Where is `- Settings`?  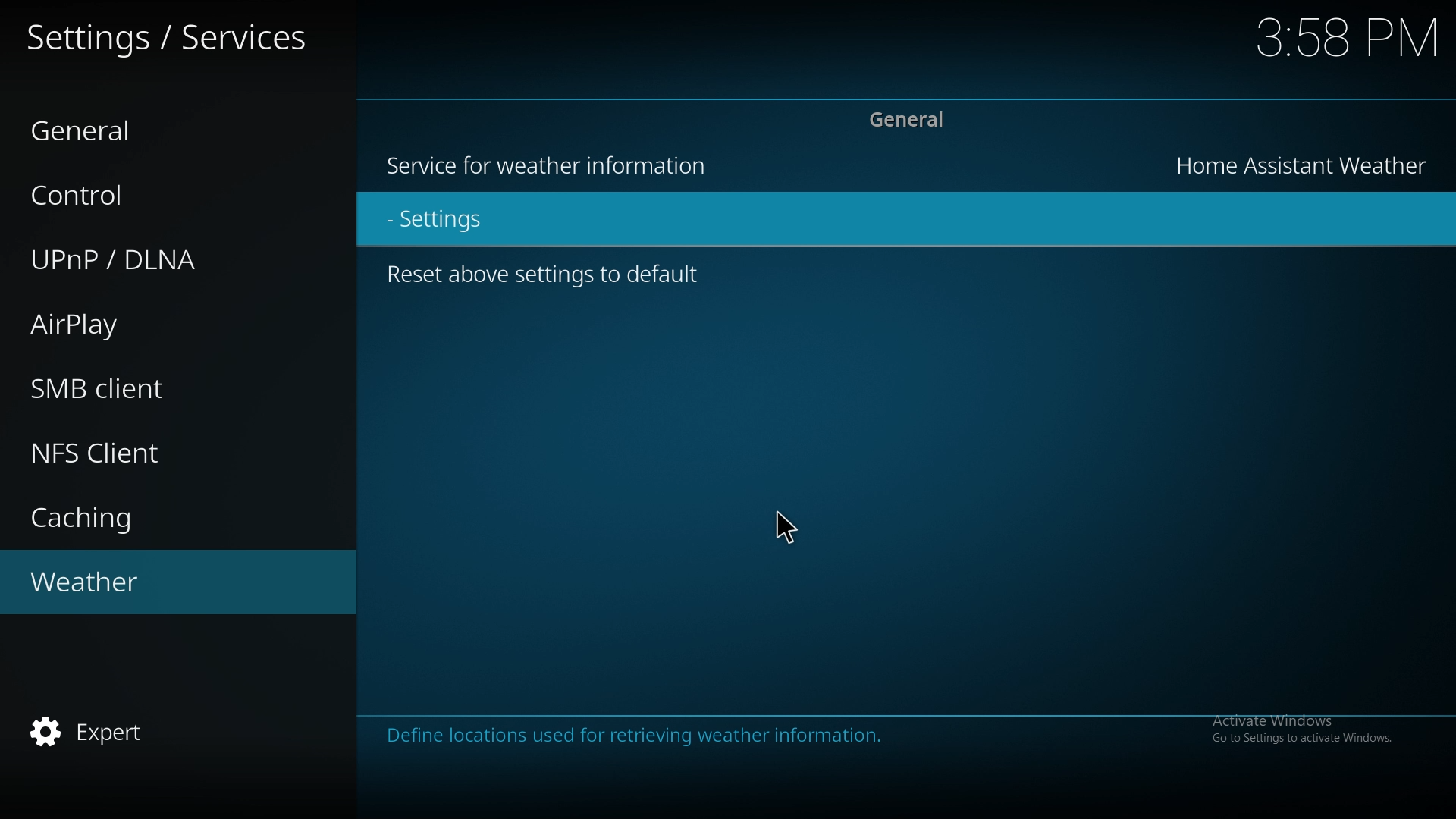 - Settings is located at coordinates (478, 222).